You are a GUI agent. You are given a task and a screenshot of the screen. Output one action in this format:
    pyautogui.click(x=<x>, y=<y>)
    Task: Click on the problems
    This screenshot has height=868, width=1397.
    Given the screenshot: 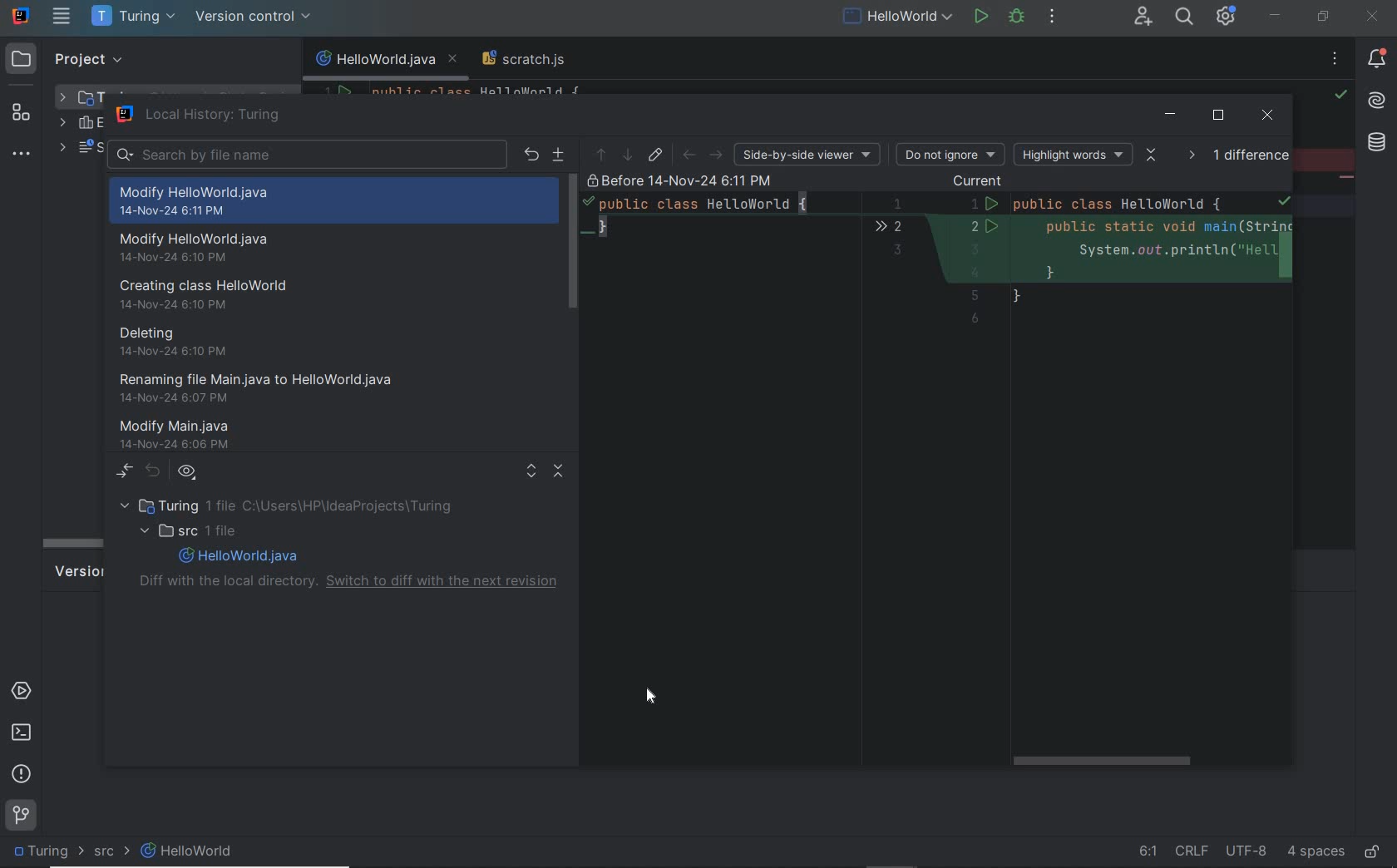 What is the action you would take?
    pyautogui.click(x=20, y=773)
    